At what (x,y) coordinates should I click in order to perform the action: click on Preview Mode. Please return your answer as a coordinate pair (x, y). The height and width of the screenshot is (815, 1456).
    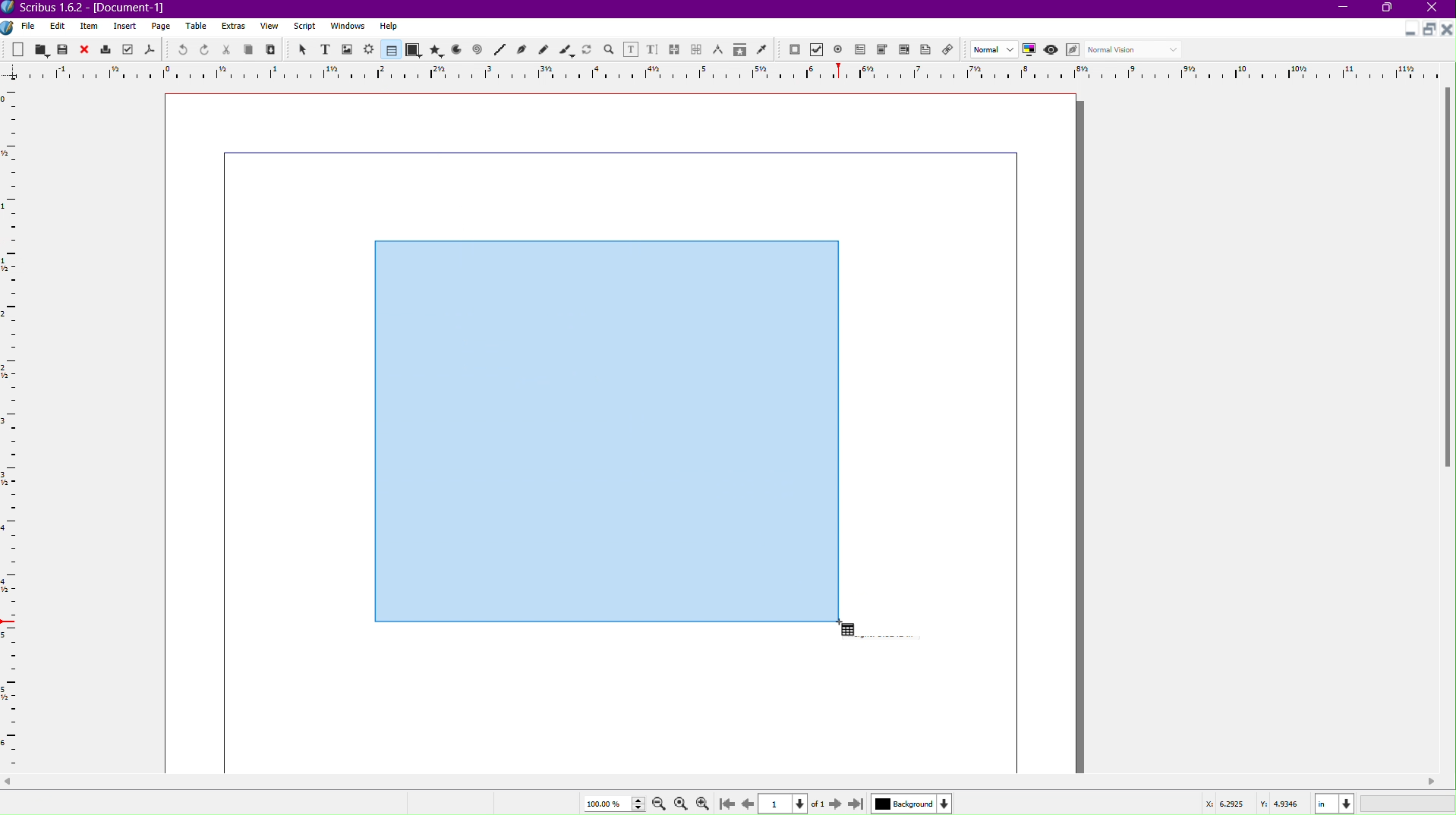
    Looking at the image, I should click on (1053, 51).